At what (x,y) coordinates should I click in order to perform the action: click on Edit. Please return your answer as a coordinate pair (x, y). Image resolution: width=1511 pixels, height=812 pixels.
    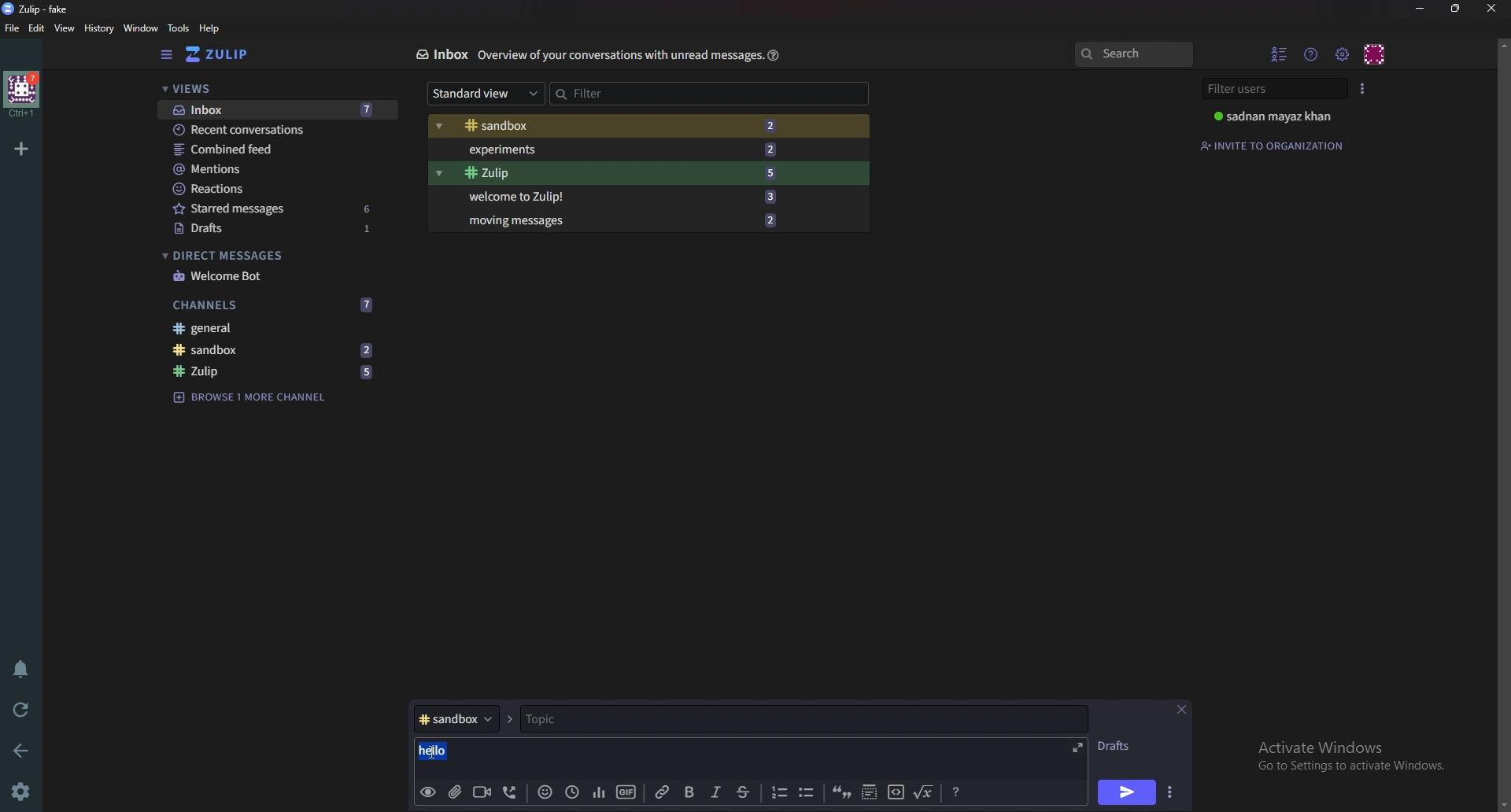
    Looking at the image, I should click on (37, 31).